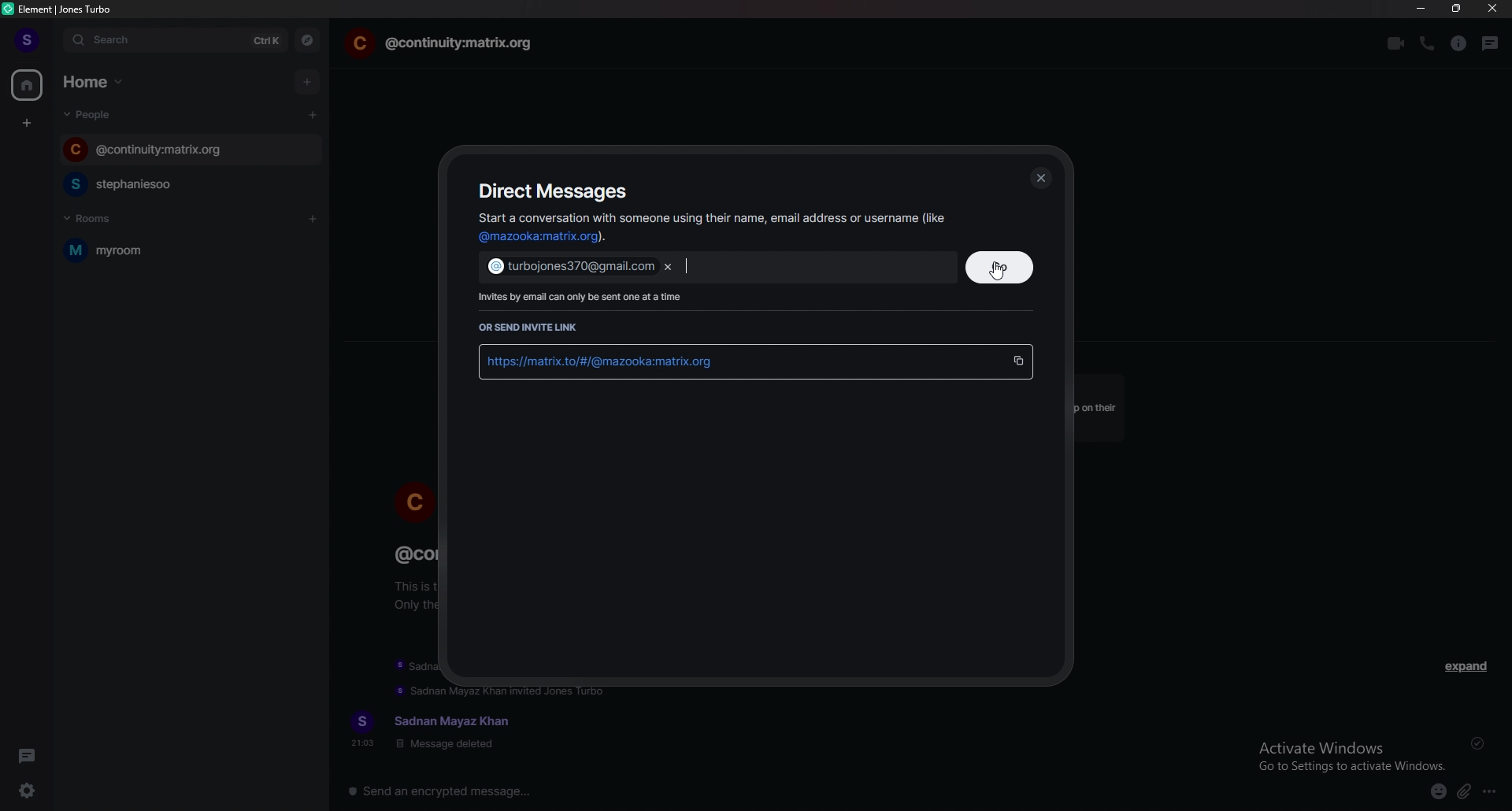  I want to click on close, so click(1040, 176).